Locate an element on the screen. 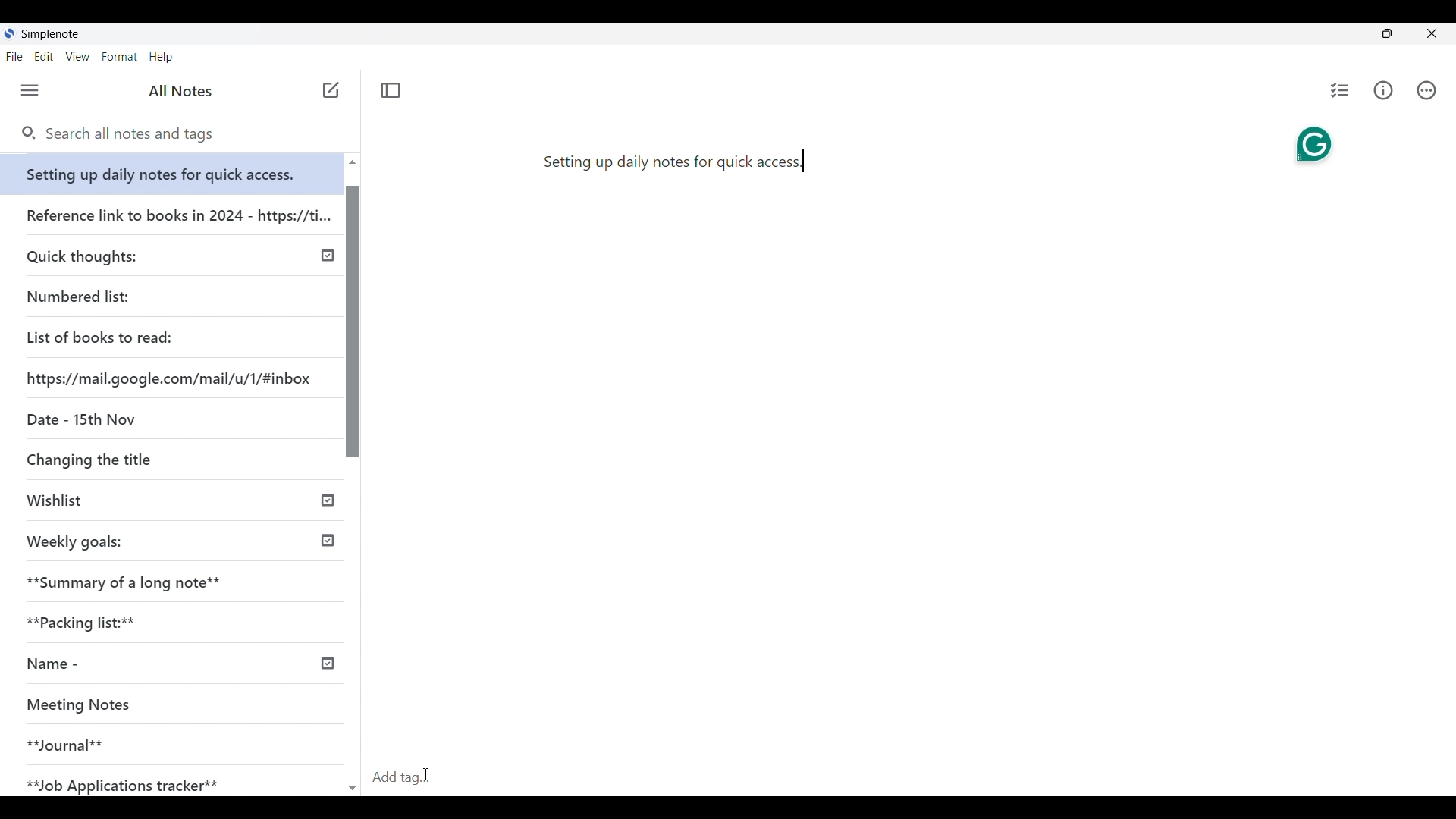  Minimize is located at coordinates (1343, 33).